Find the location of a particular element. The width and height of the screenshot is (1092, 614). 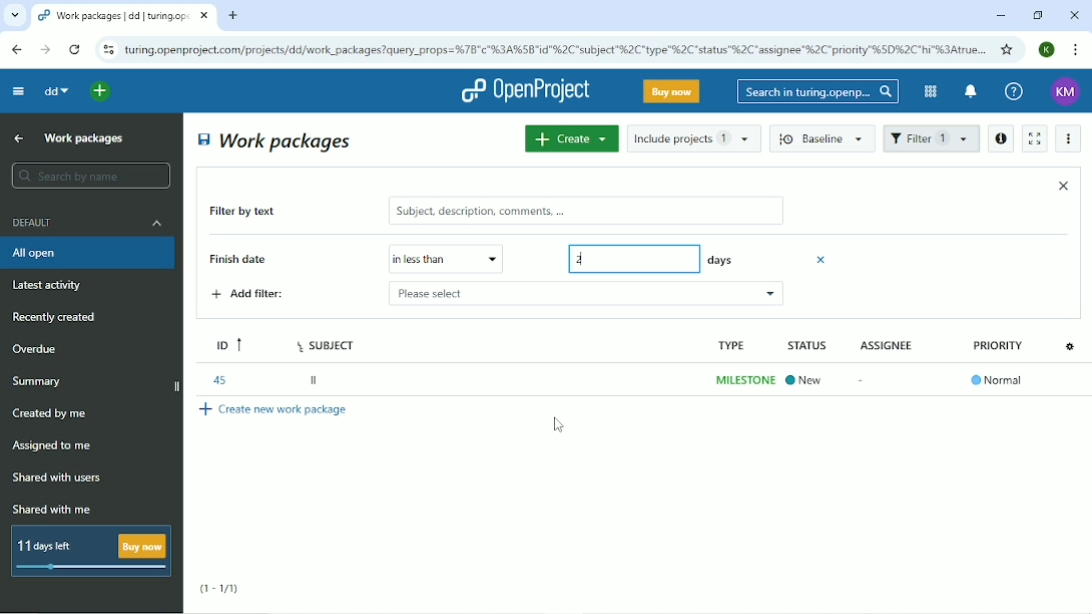

2 is located at coordinates (631, 257).